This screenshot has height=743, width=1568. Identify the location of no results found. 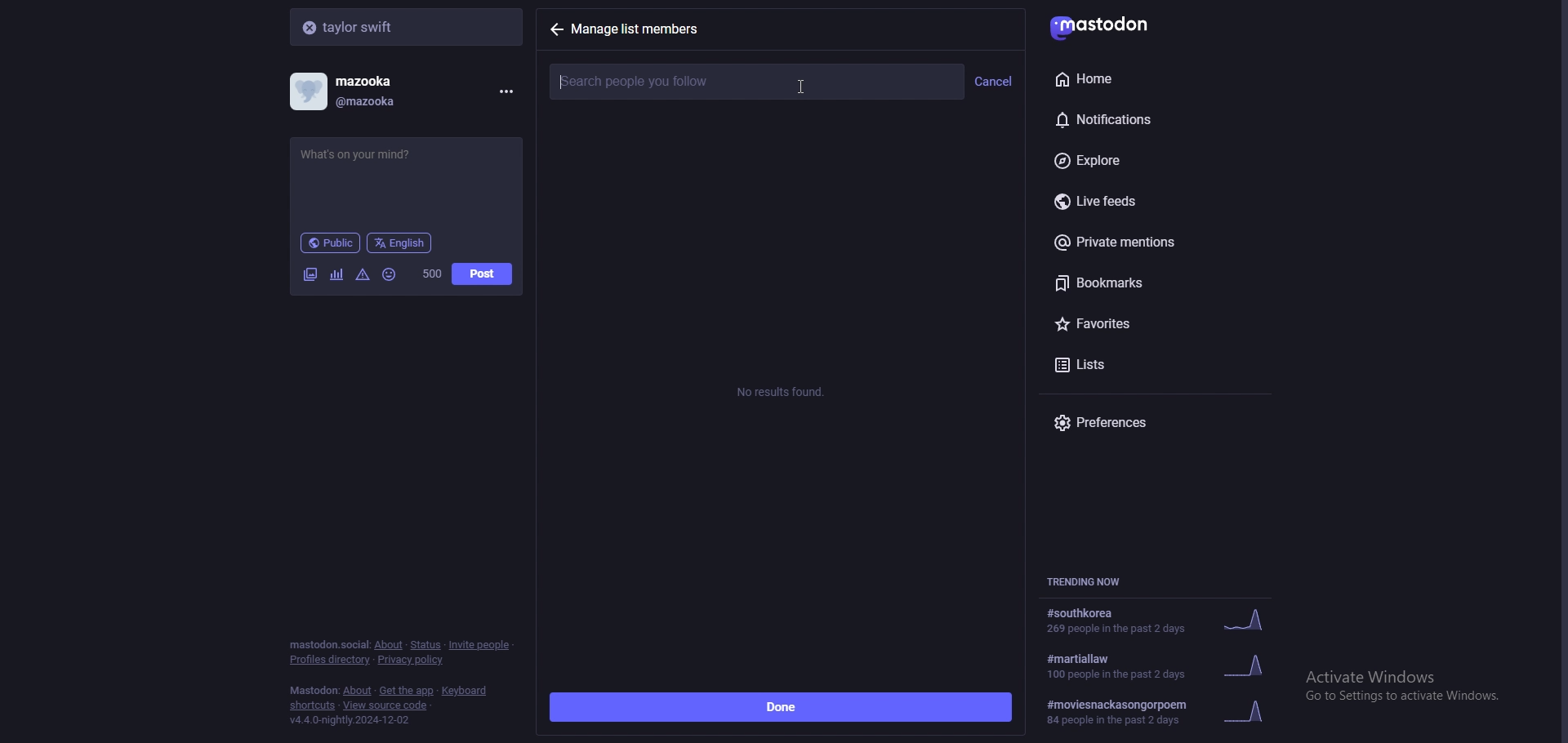
(783, 393).